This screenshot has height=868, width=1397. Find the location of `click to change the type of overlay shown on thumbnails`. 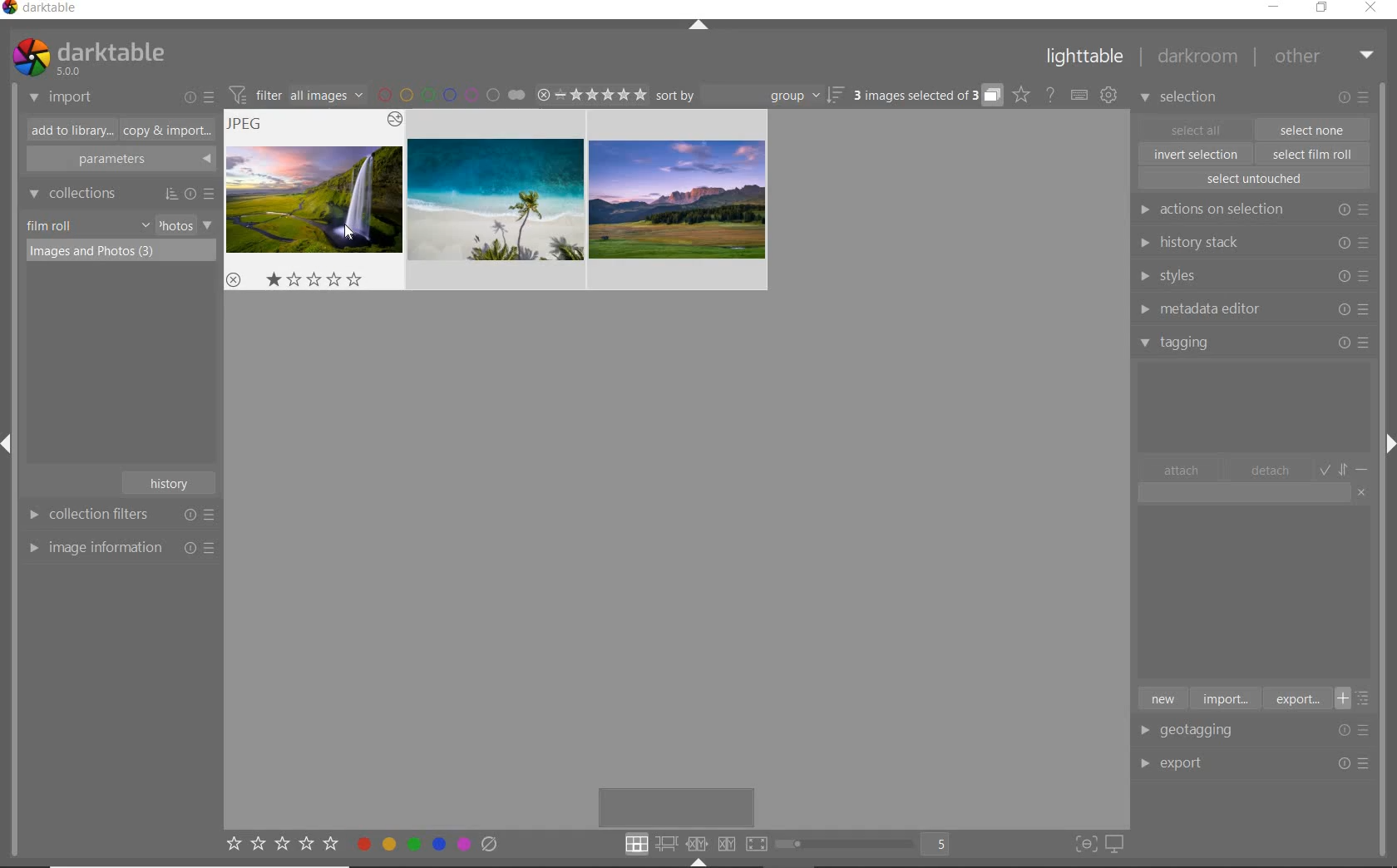

click to change the type of overlay shown on thumbnails is located at coordinates (1022, 95).